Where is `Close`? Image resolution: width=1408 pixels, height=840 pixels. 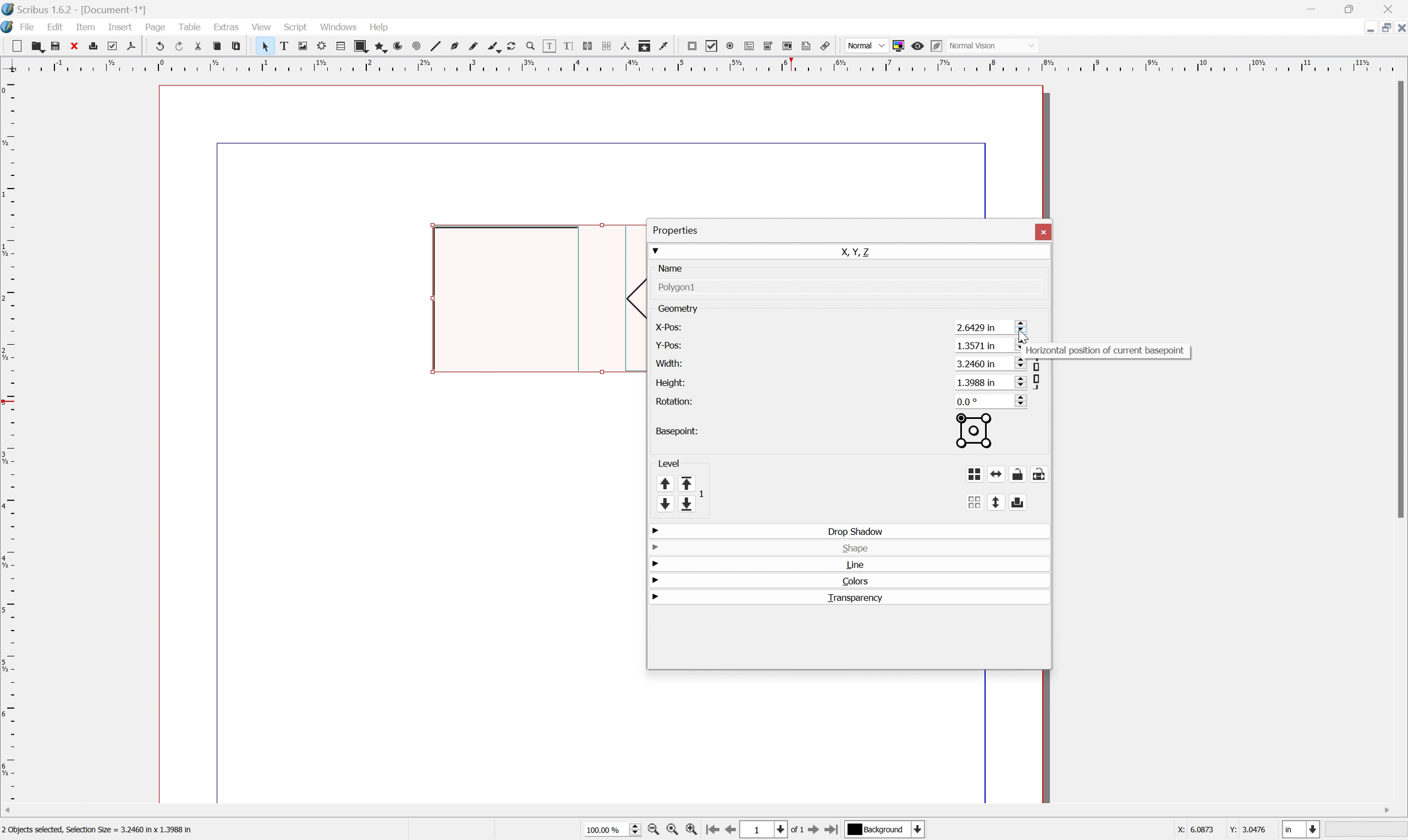
Close is located at coordinates (1399, 27).